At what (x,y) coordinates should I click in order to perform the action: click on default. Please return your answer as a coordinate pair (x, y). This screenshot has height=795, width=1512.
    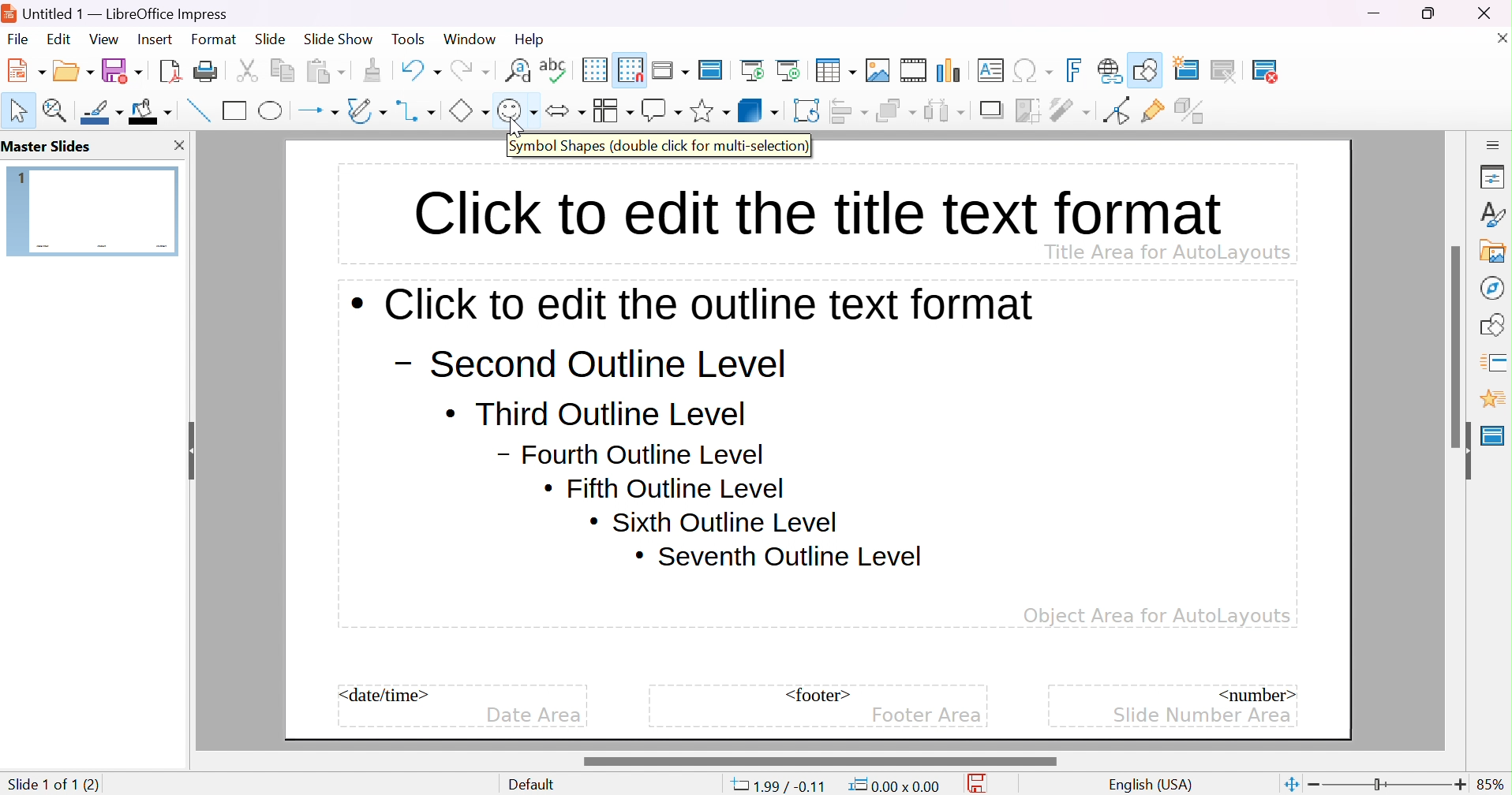
    Looking at the image, I should click on (536, 785).